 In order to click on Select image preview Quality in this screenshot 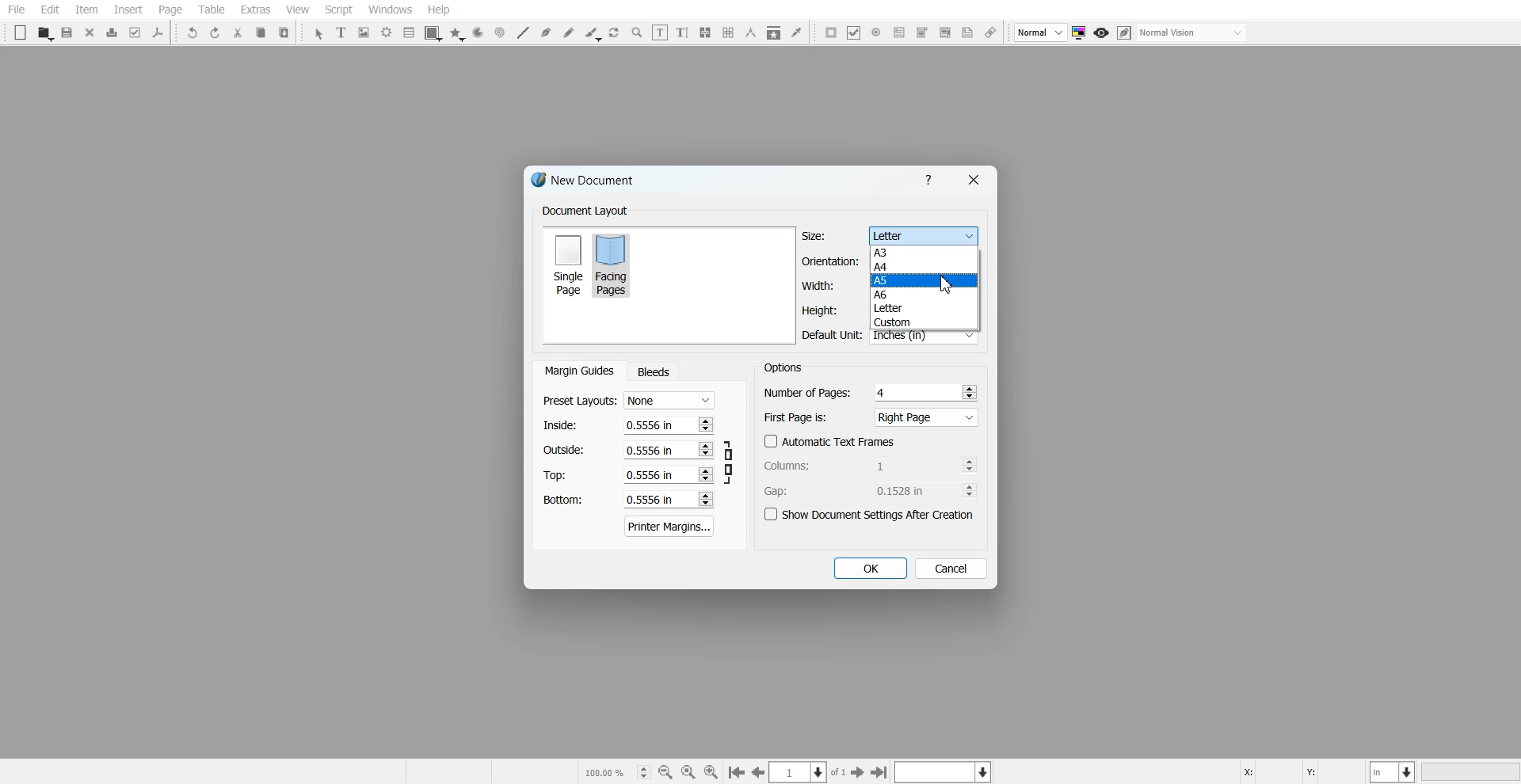, I will do `click(1041, 32)`.